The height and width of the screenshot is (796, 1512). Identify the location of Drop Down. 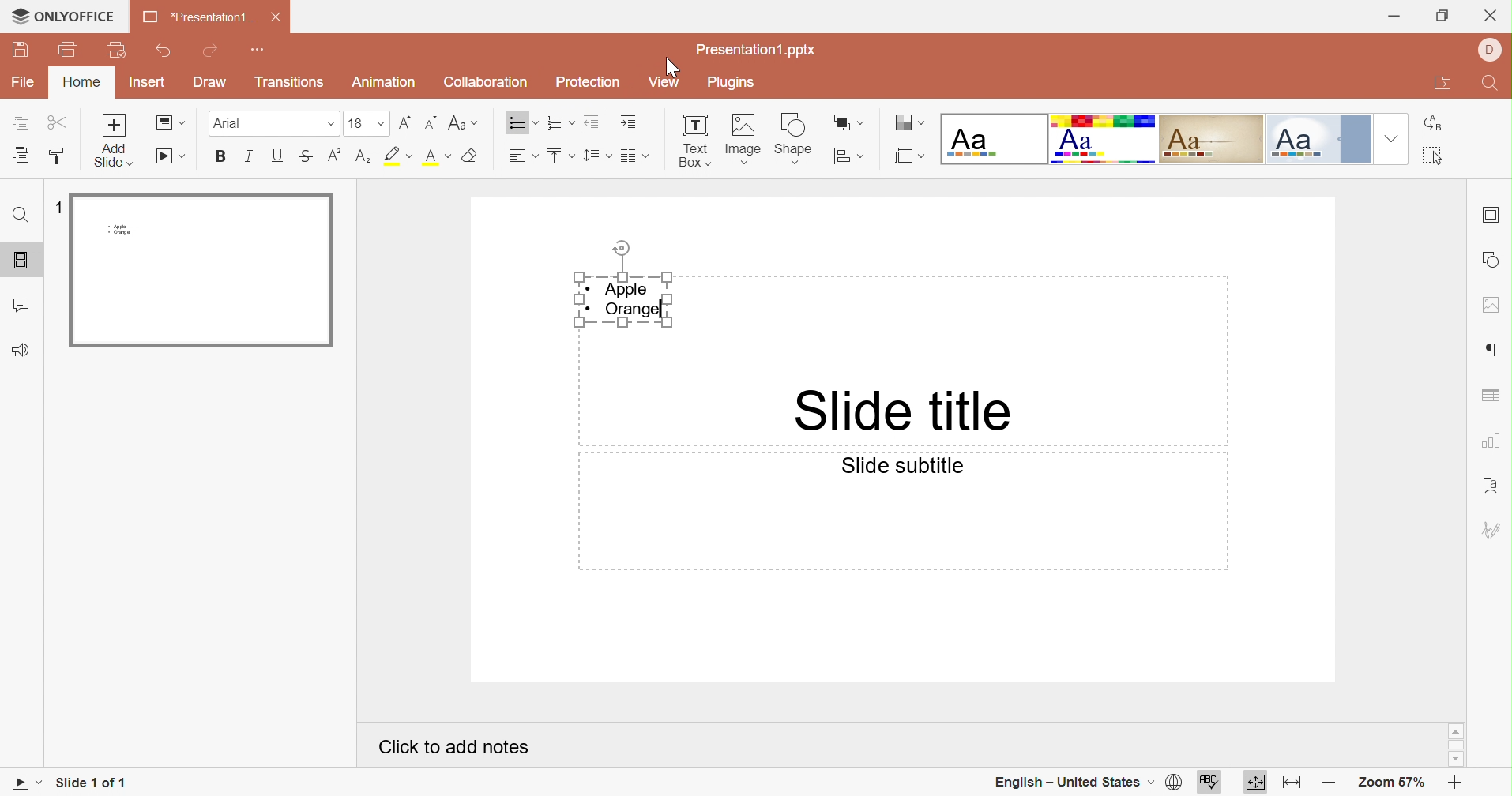
(331, 125).